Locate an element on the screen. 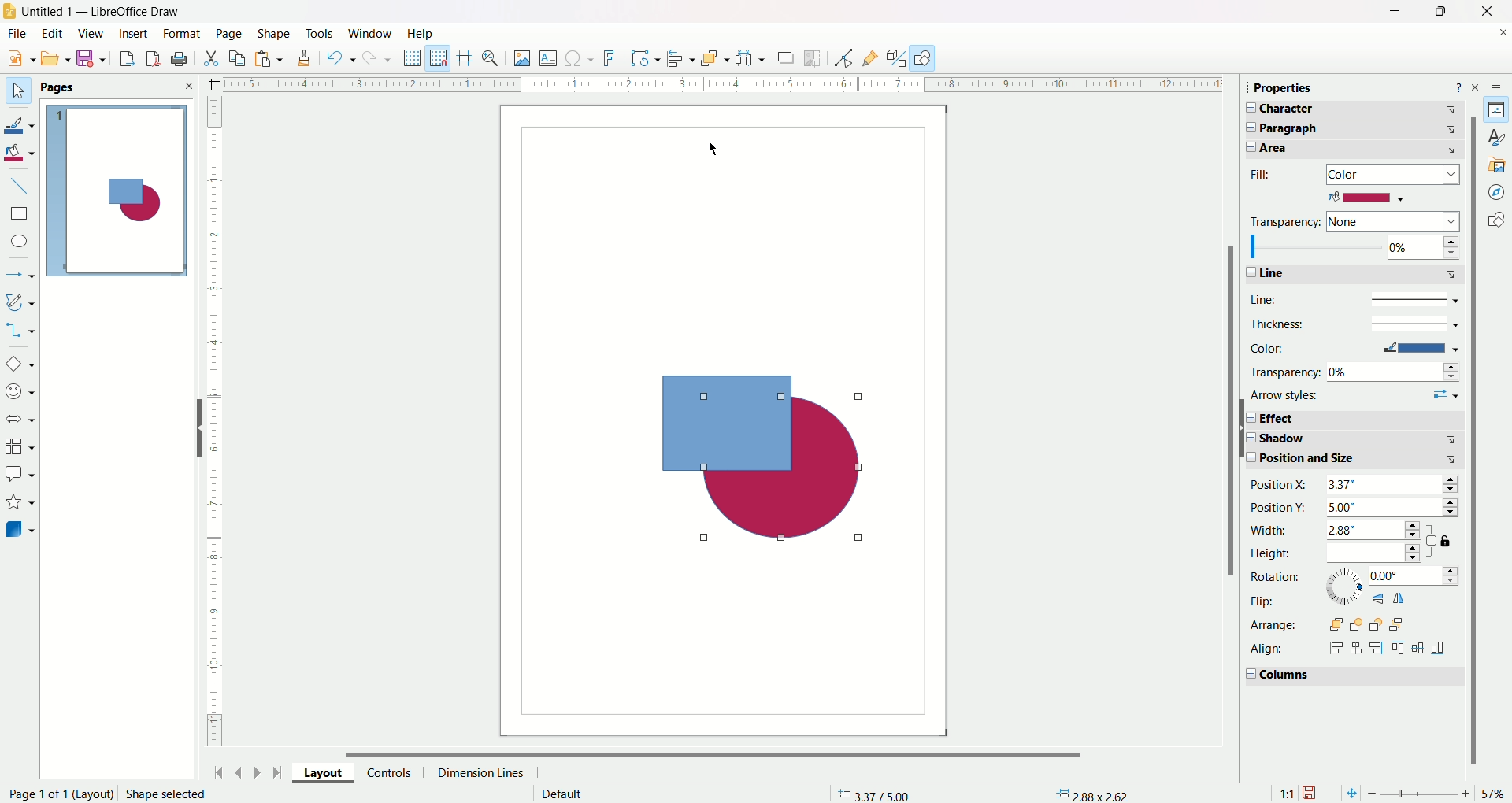 The height and width of the screenshot is (803, 1512). export is located at coordinates (122, 60).